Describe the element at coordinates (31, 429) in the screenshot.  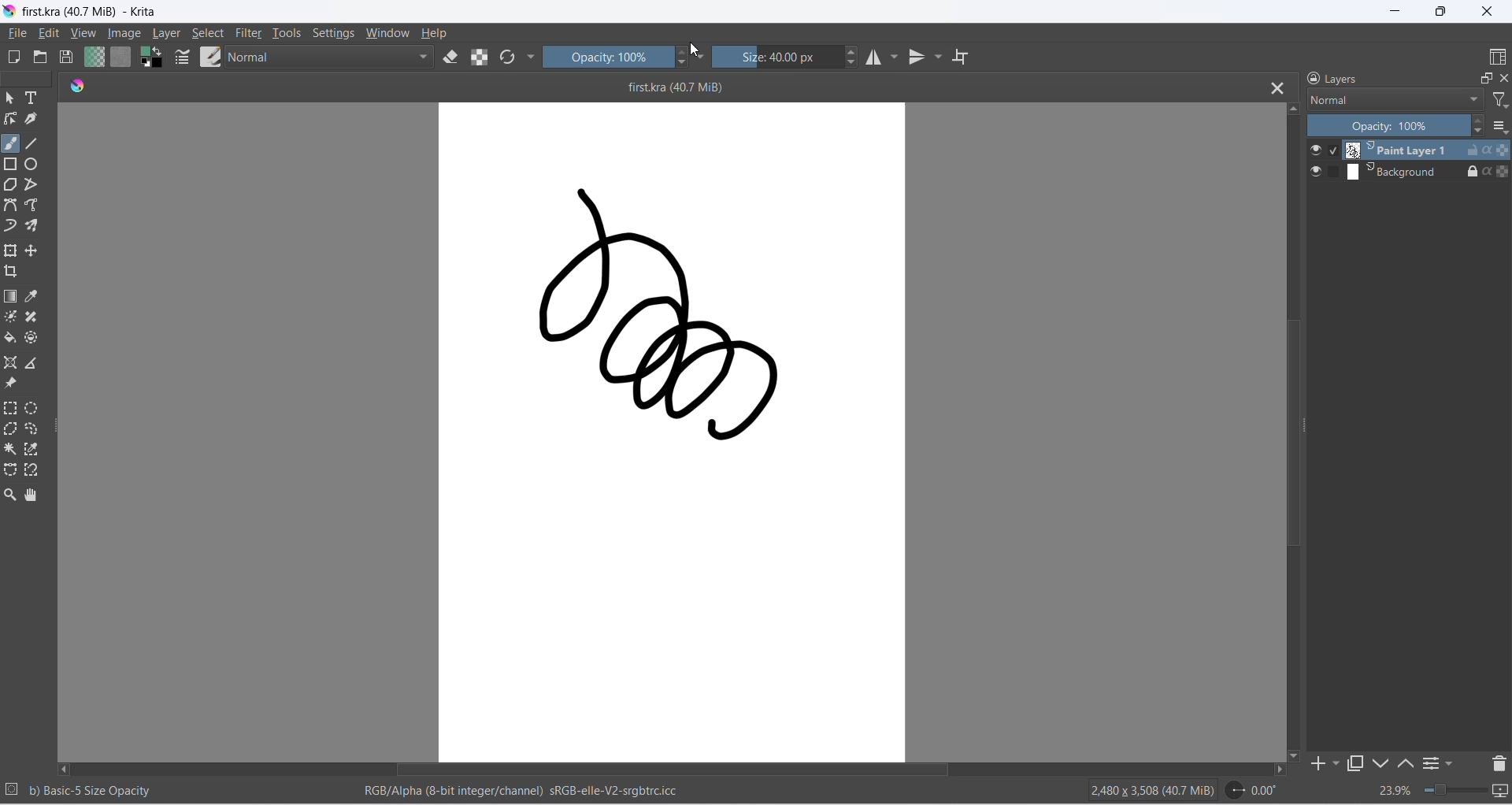
I see `freehand selection tool` at that location.